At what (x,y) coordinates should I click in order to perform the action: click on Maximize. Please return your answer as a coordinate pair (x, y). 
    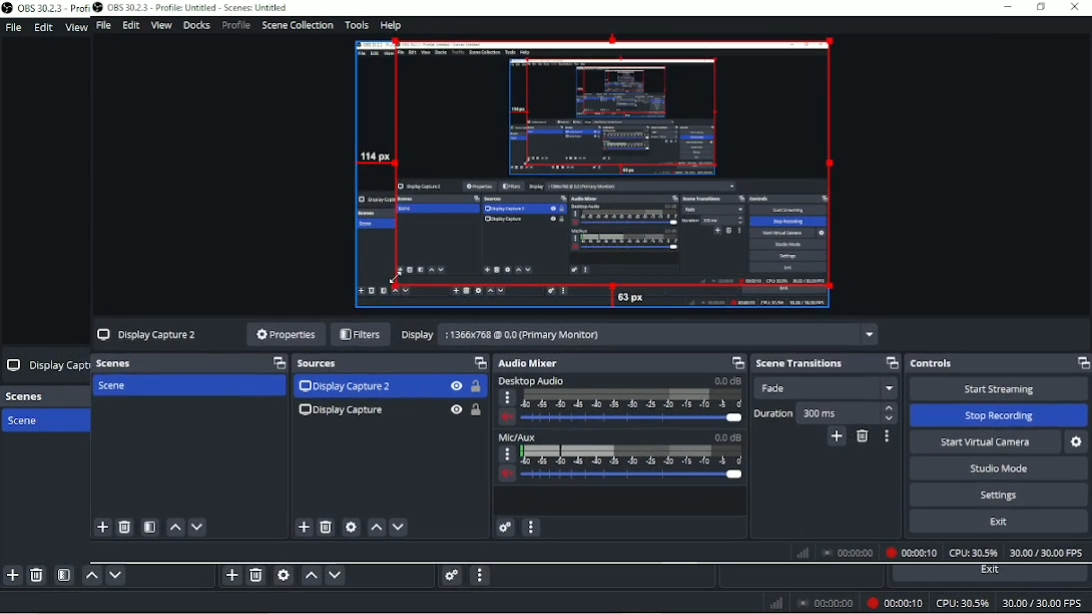
    Looking at the image, I should click on (479, 363).